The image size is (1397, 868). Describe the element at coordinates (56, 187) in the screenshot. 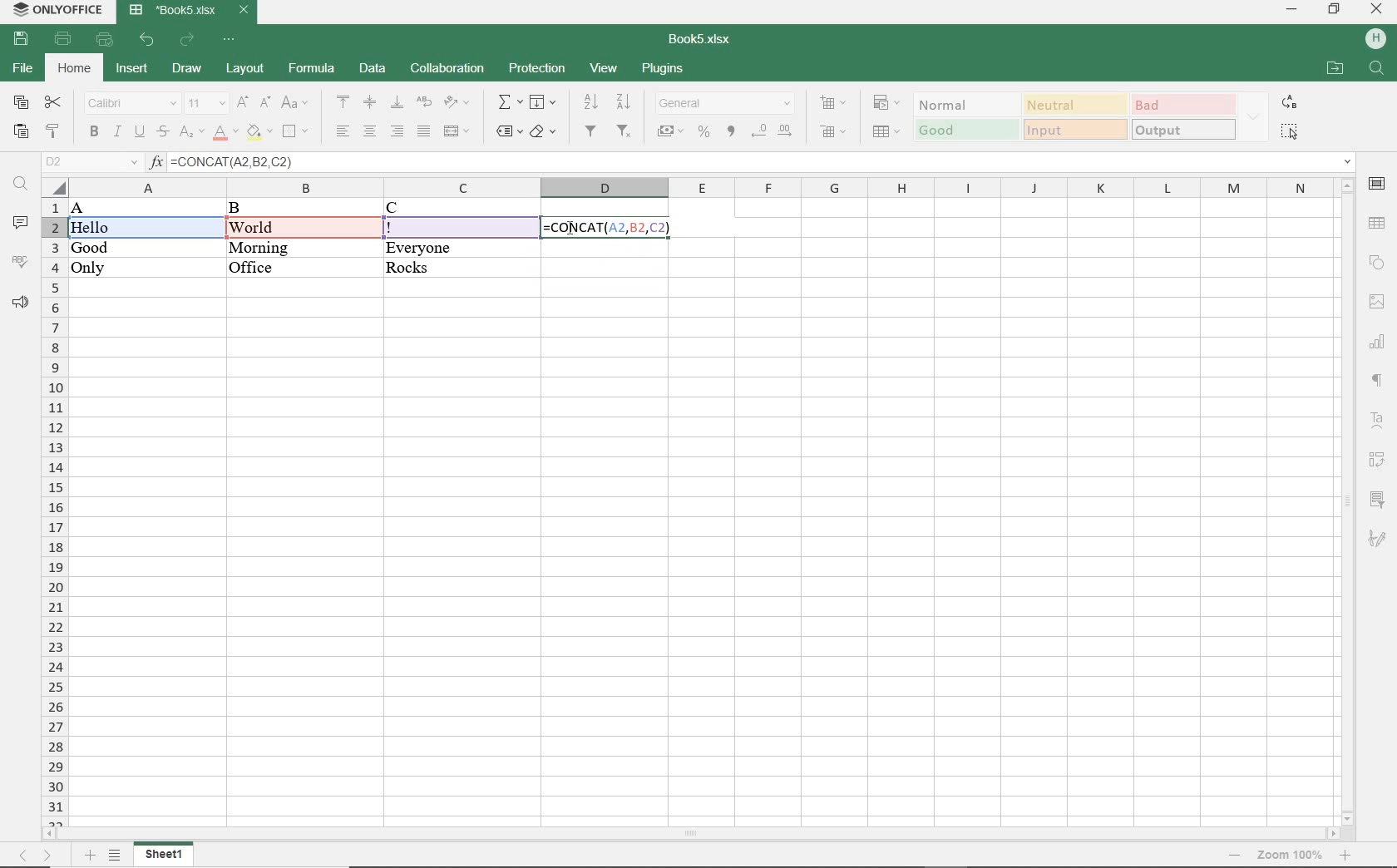

I see `Select all cells` at that location.